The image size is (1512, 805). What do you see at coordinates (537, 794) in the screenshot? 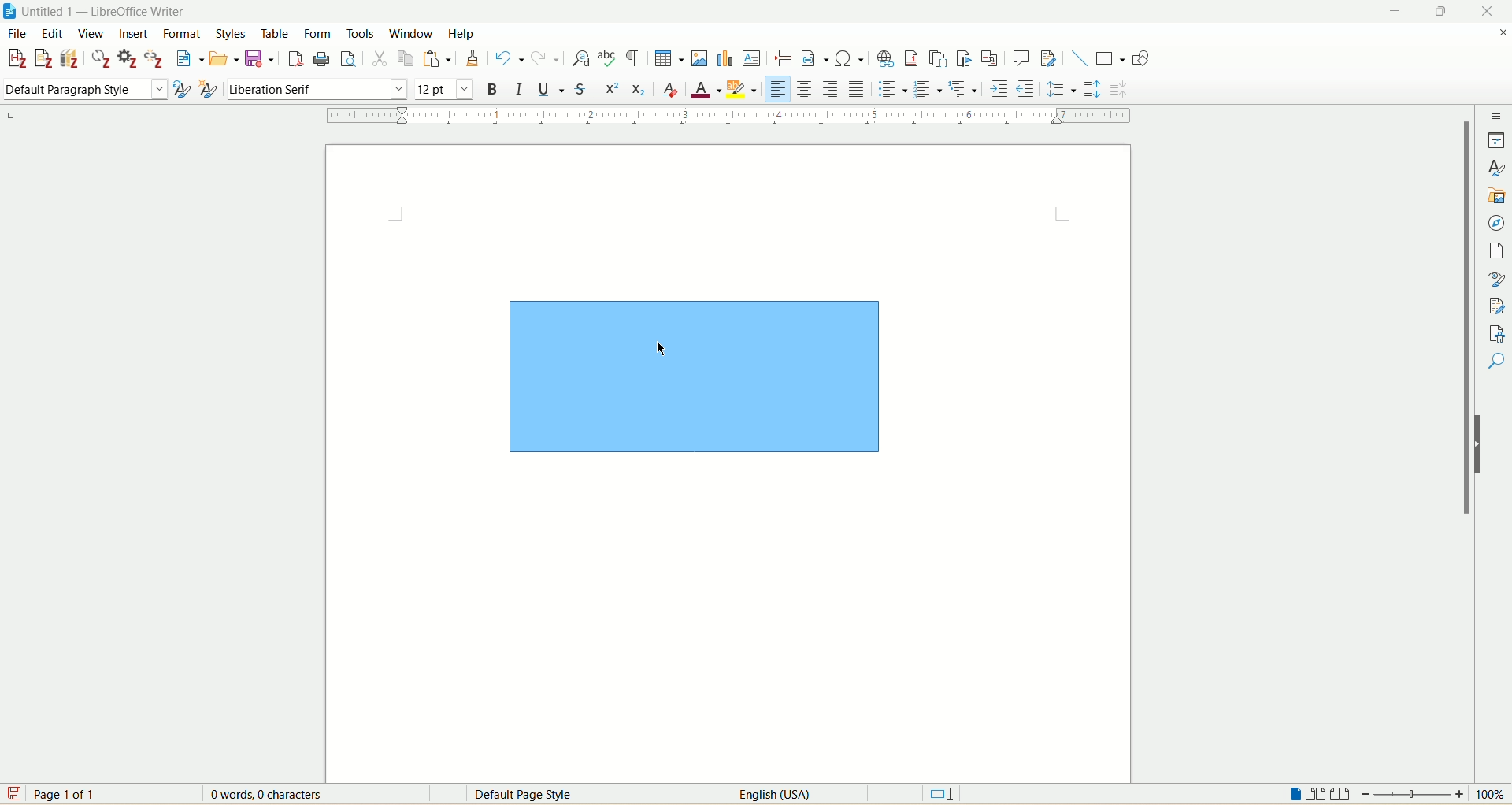
I see `default page style` at bounding box center [537, 794].